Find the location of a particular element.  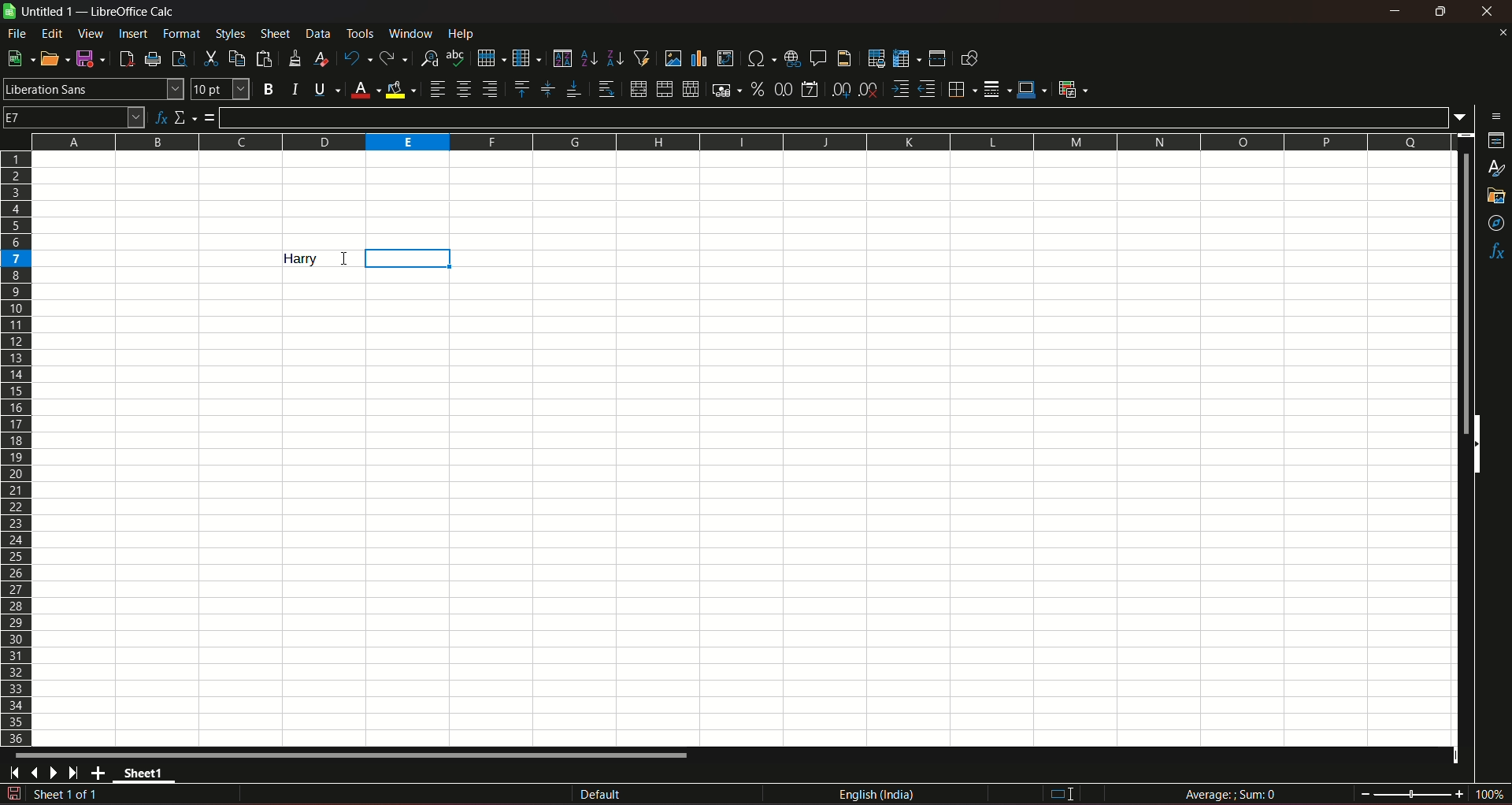

auto filter is located at coordinates (642, 57).